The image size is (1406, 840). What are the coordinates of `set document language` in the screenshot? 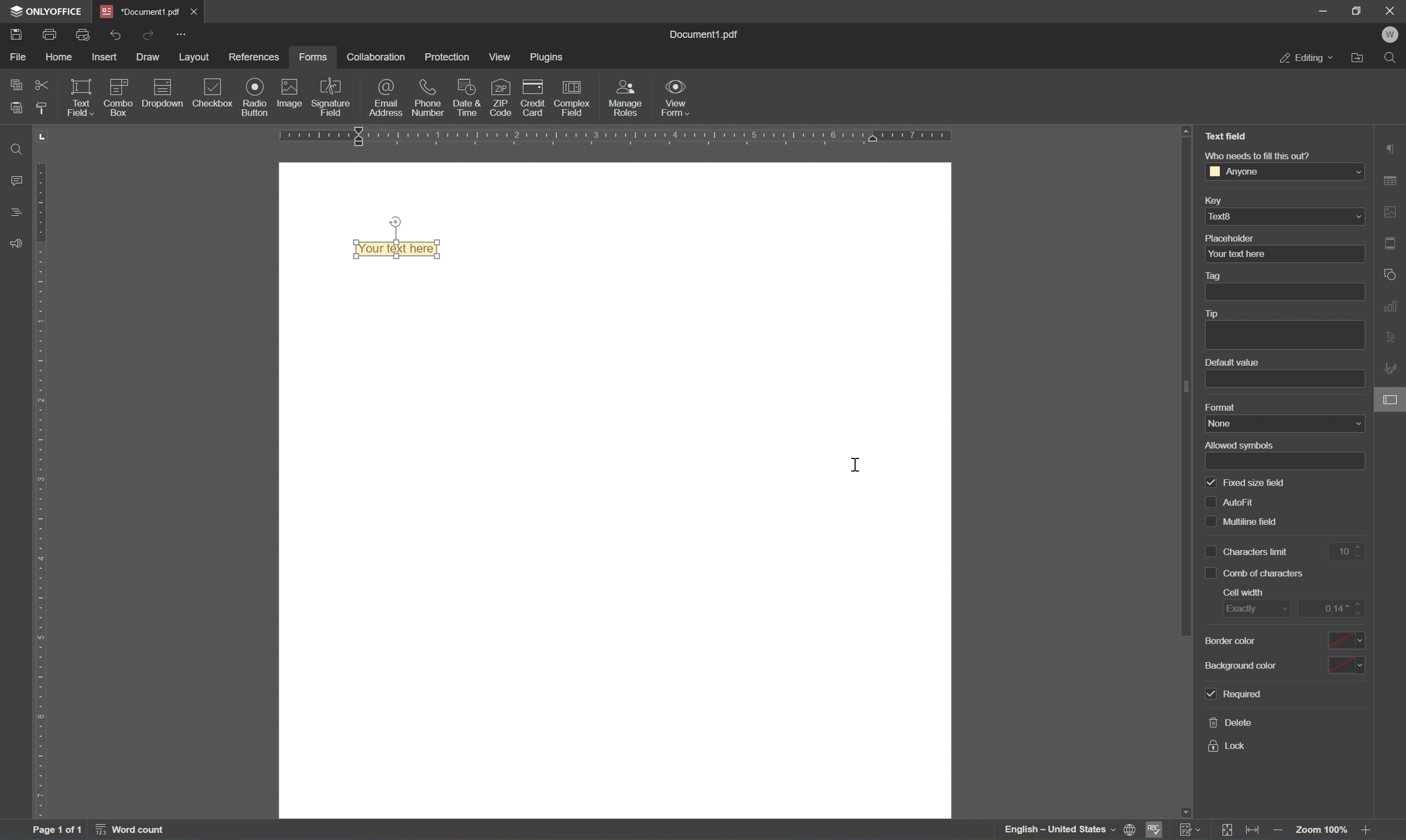 It's located at (1130, 830).